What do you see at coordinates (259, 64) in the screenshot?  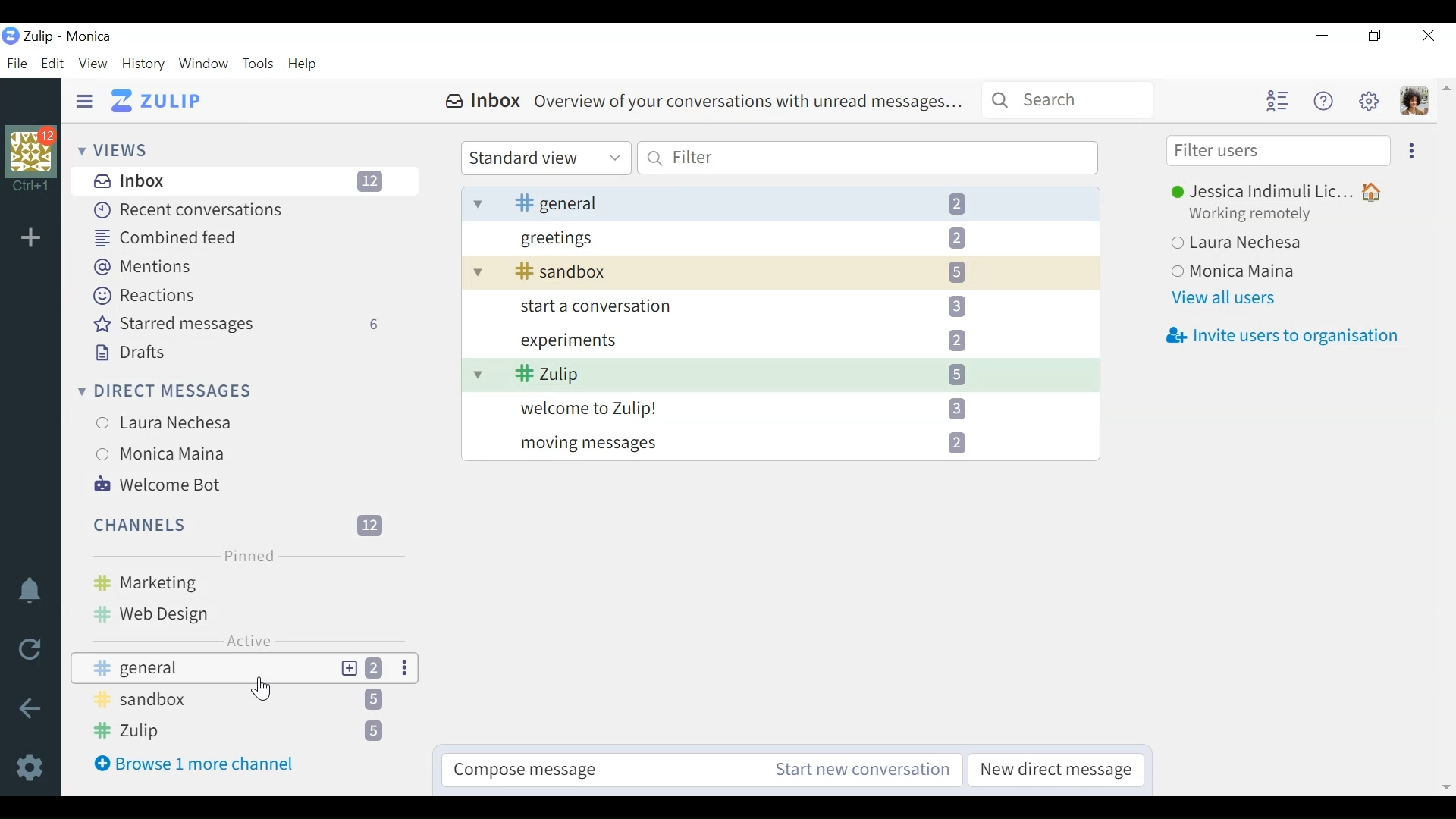 I see `Tools` at bounding box center [259, 64].